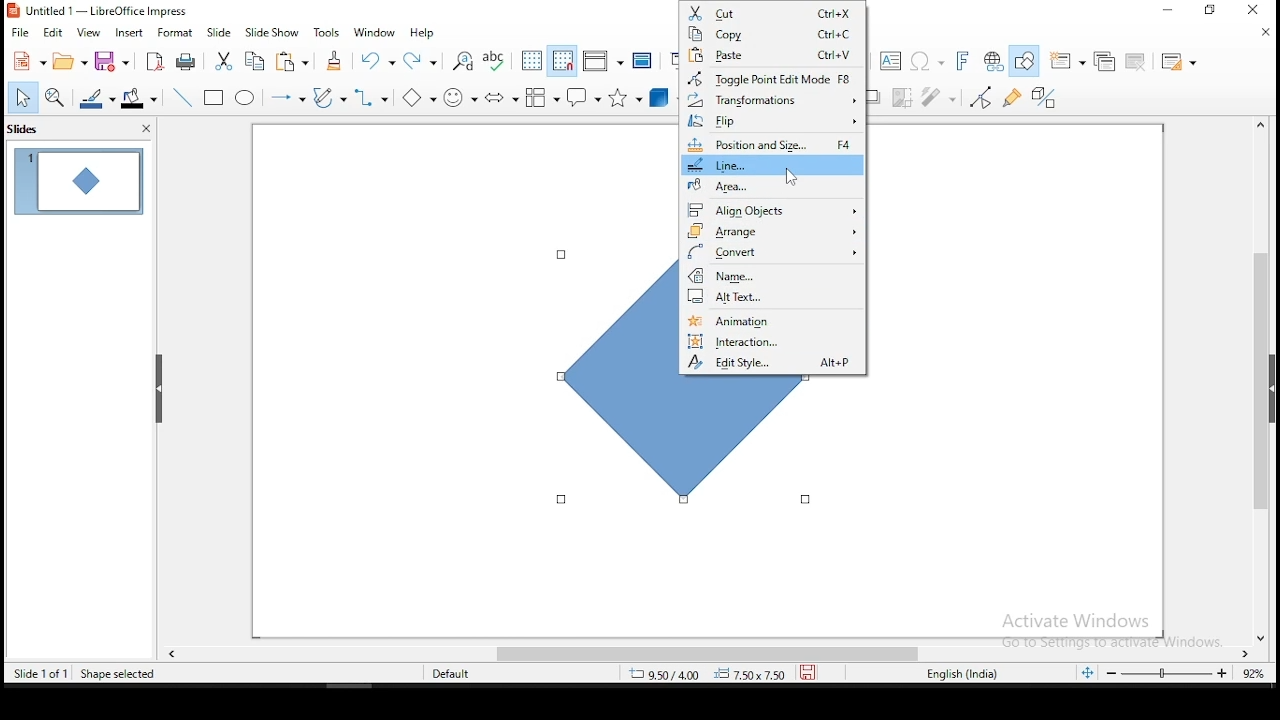  What do you see at coordinates (532, 61) in the screenshot?
I see `display grid` at bounding box center [532, 61].